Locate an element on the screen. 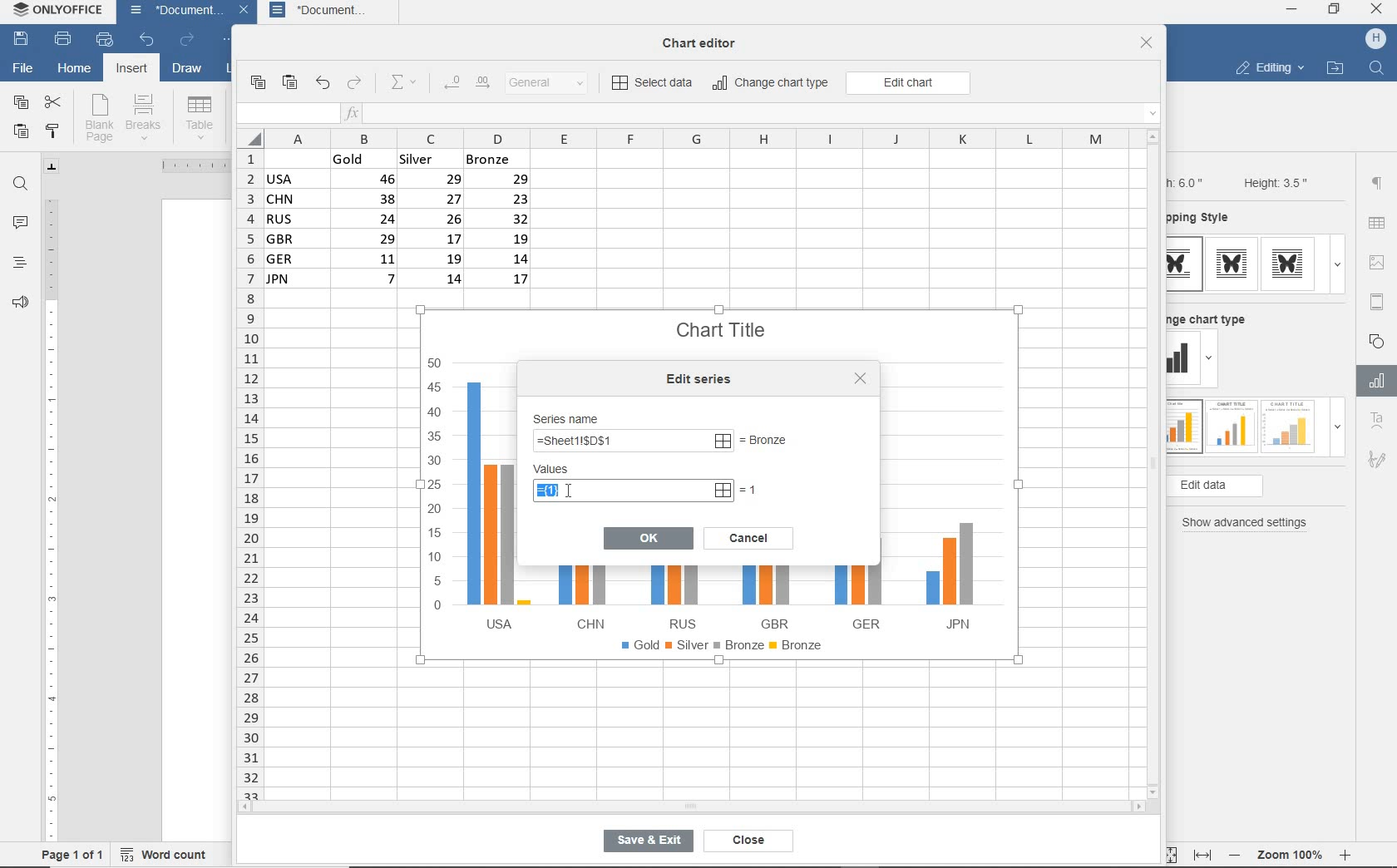  undo is located at coordinates (146, 41).